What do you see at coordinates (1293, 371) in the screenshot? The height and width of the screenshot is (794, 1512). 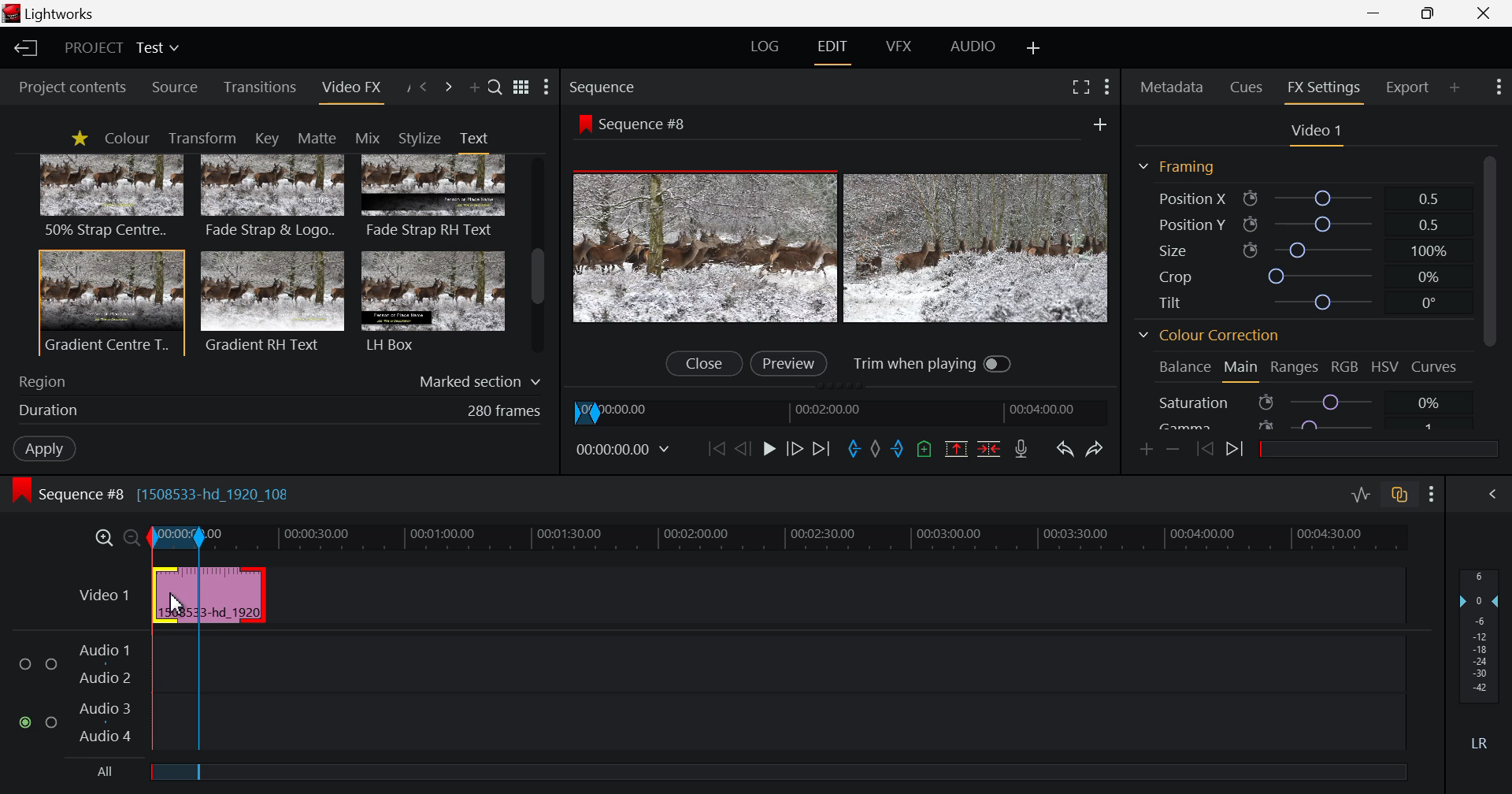 I see `Ranges` at bounding box center [1293, 371].